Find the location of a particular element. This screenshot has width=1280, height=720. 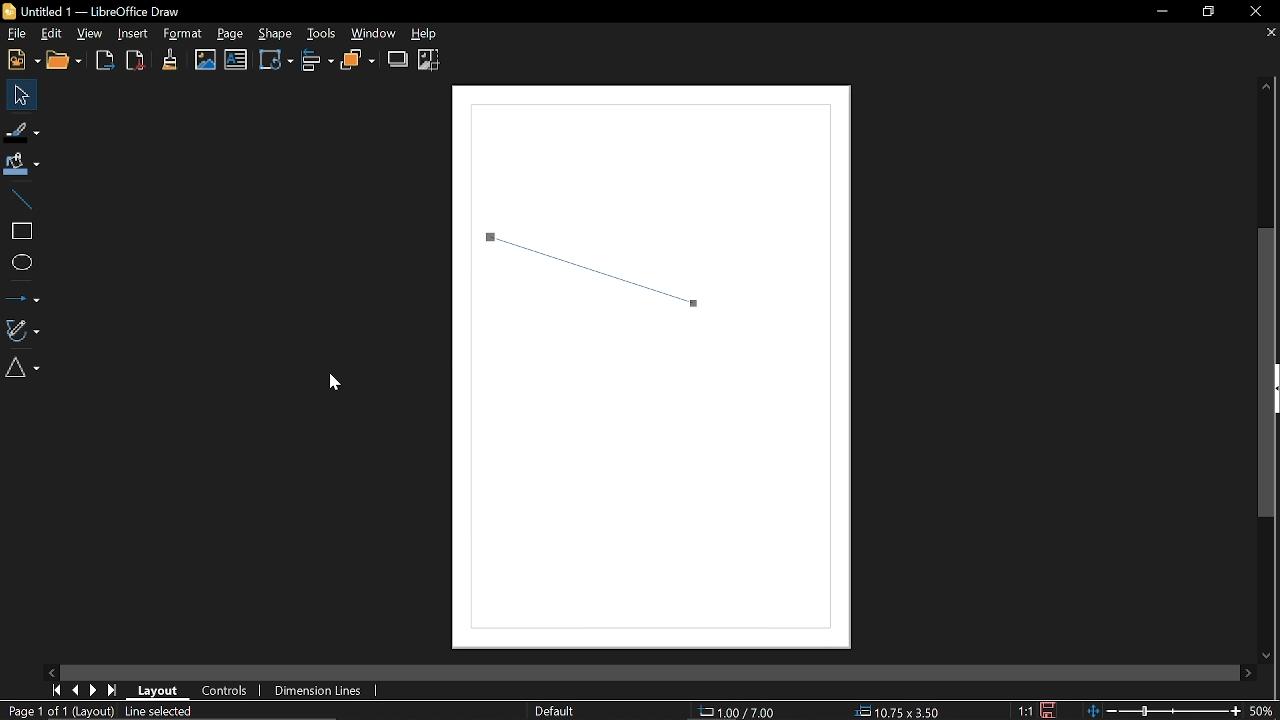

Canvas is located at coordinates (661, 372).